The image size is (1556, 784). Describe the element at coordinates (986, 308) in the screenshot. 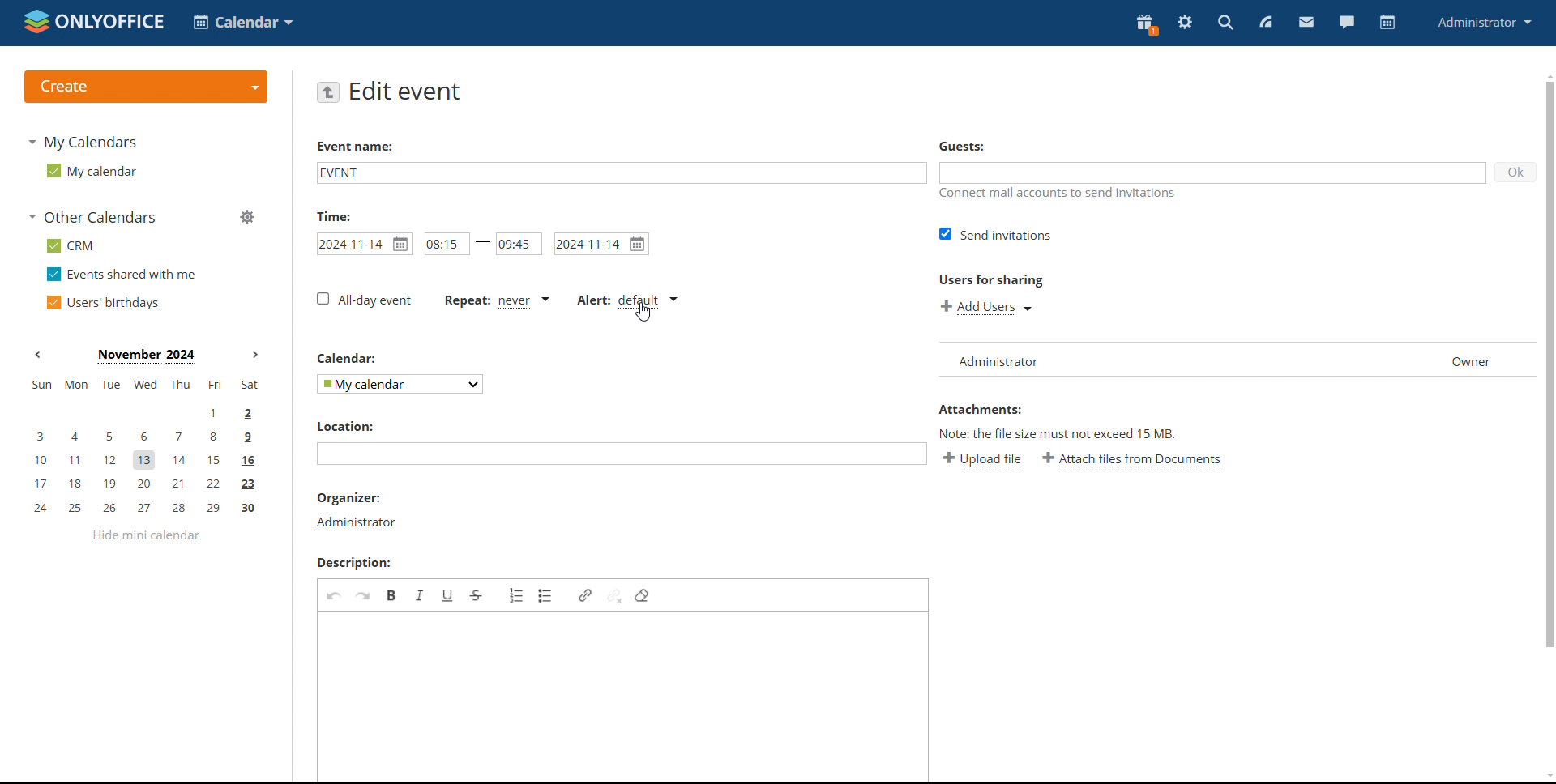

I see `add users` at that location.